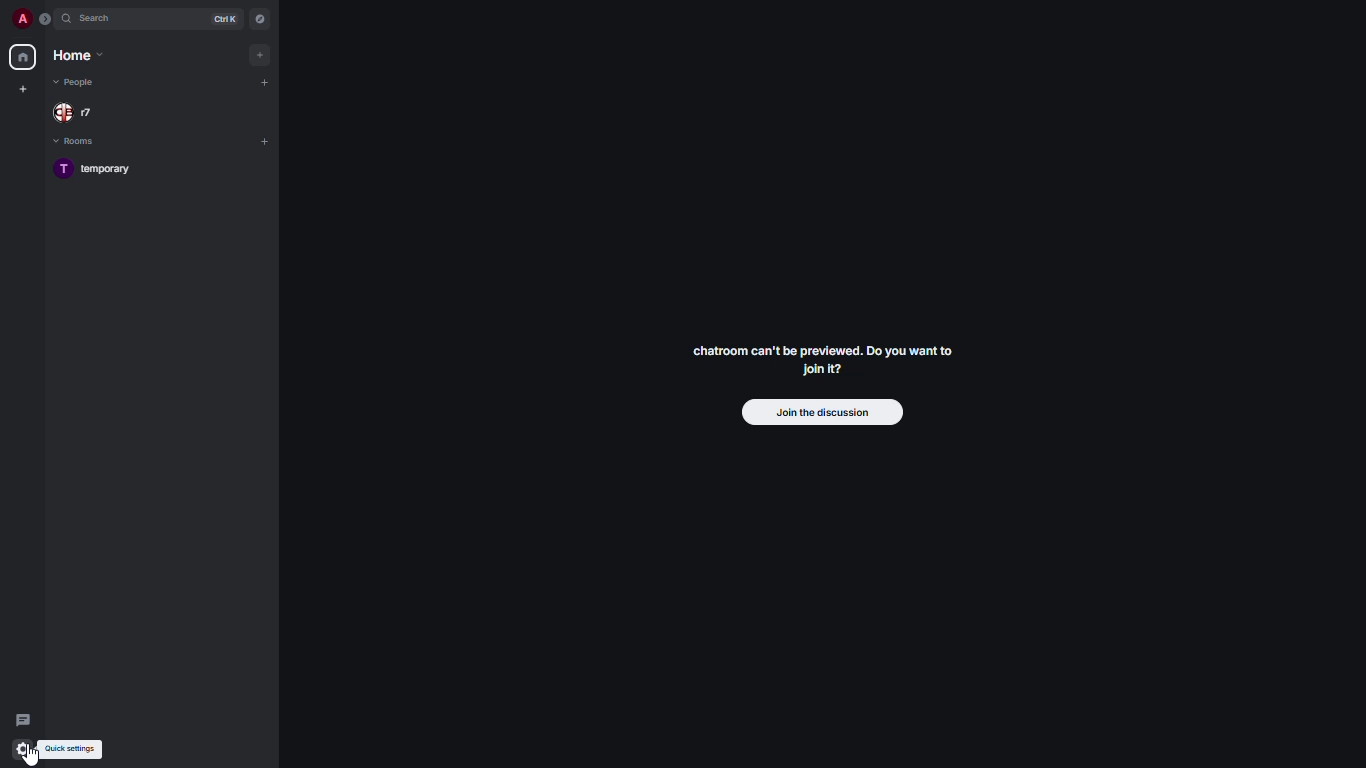 This screenshot has height=768, width=1366. I want to click on people, so click(78, 113).